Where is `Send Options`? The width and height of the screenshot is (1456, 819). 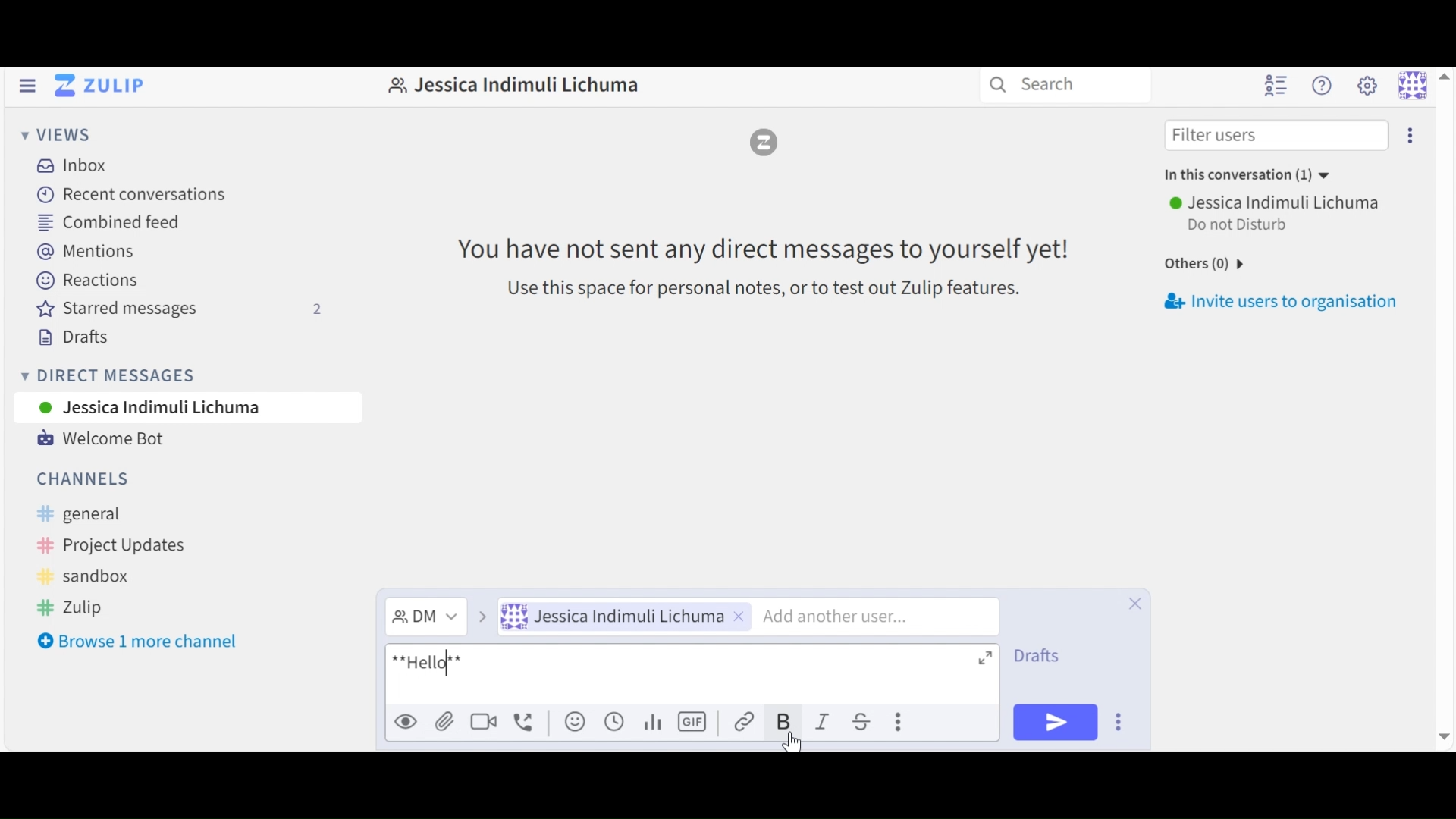
Send Options is located at coordinates (1121, 721).